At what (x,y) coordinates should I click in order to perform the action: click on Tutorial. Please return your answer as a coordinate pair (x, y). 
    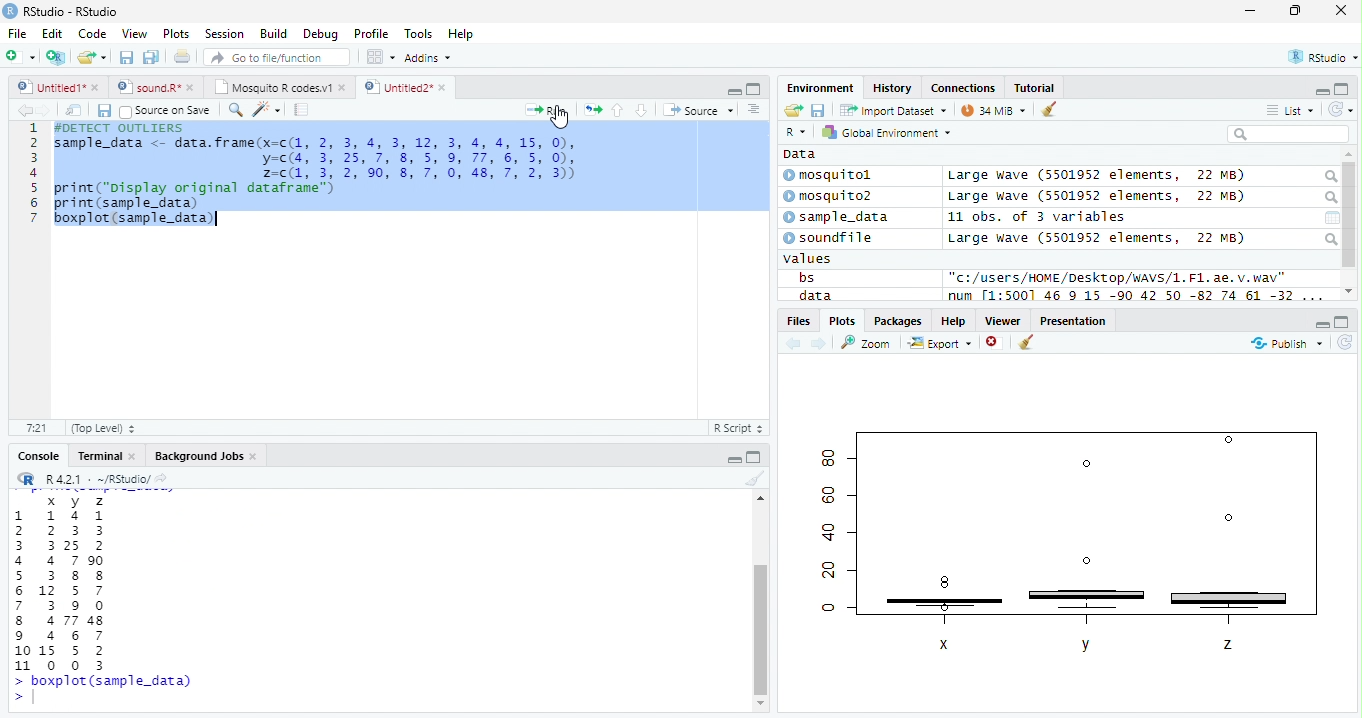
    Looking at the image, I should click on (1035, 89).